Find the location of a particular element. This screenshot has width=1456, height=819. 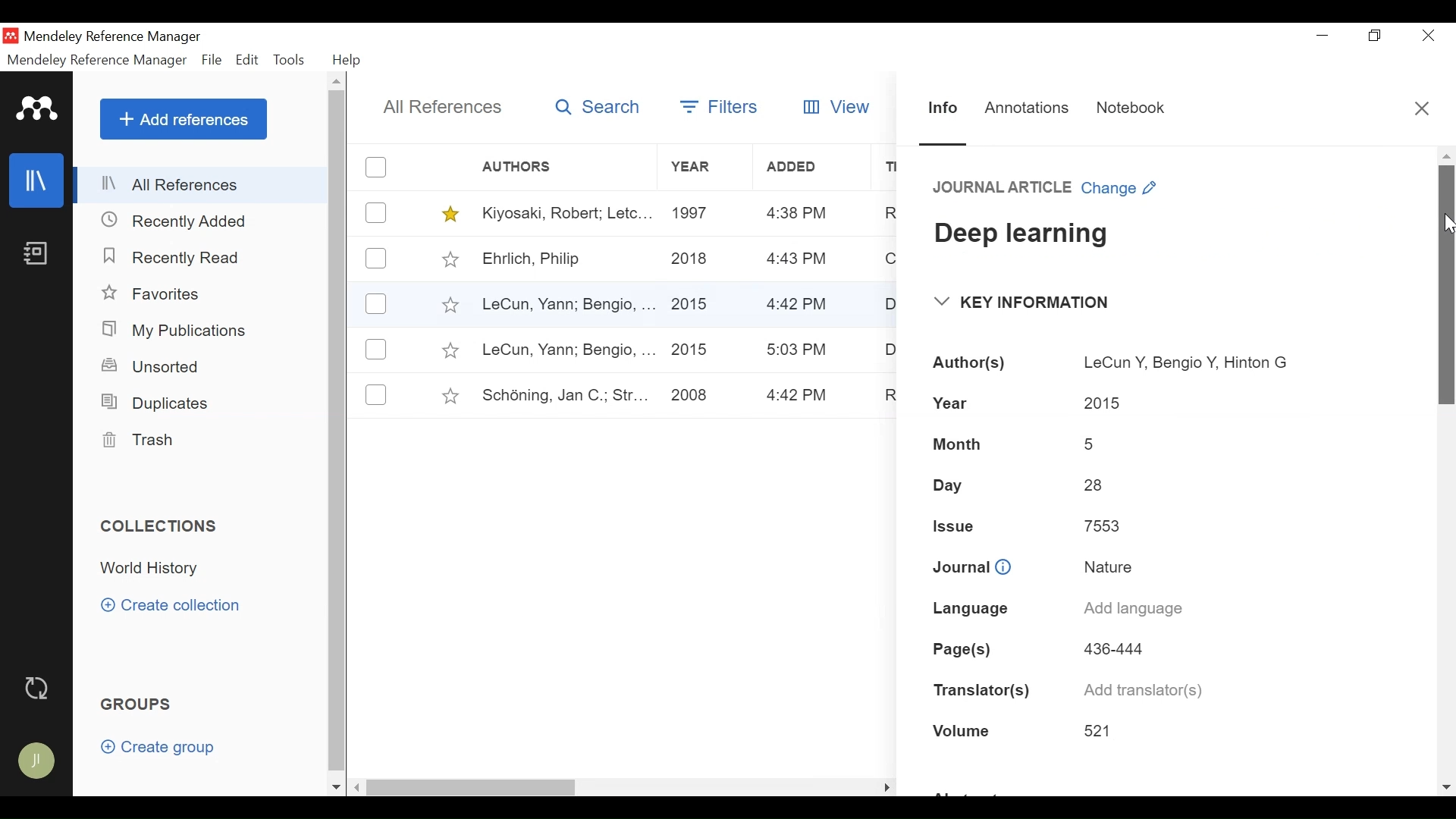

4:43 PM is located at coordinates (798, 259).